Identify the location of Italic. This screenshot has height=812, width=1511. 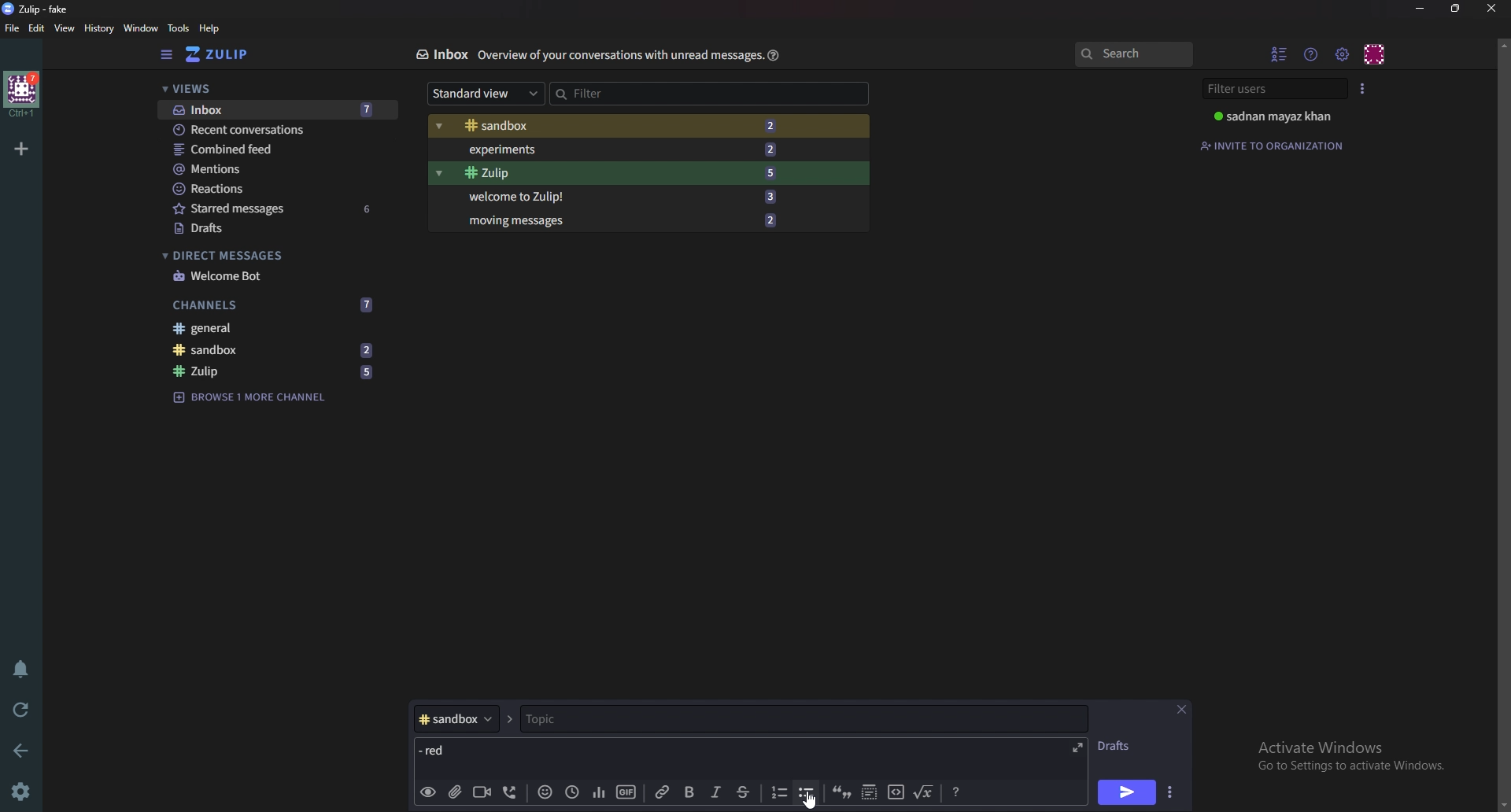
(716, 792).